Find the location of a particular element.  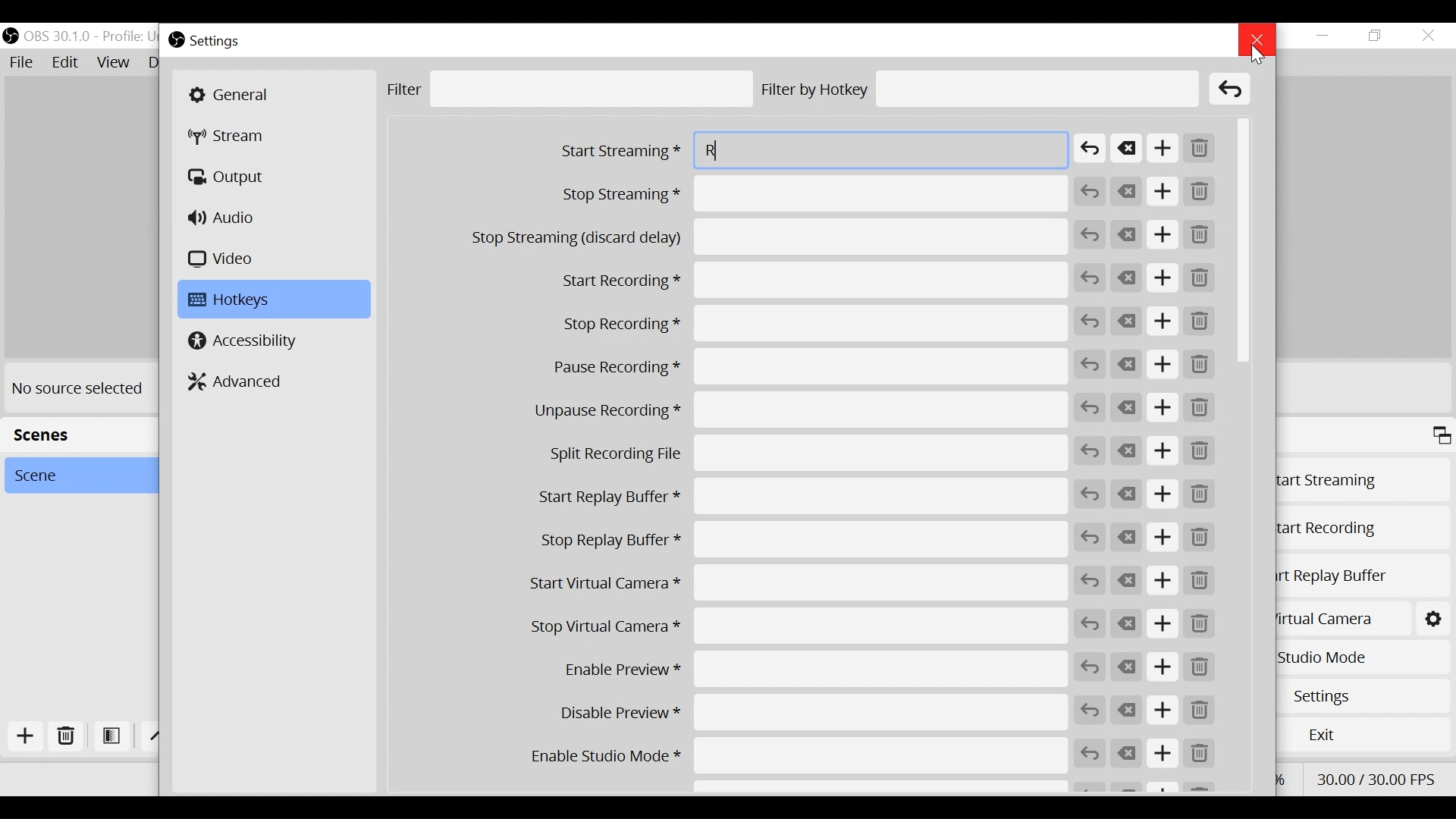

Split Recording File is located at coordinates (798, 454).